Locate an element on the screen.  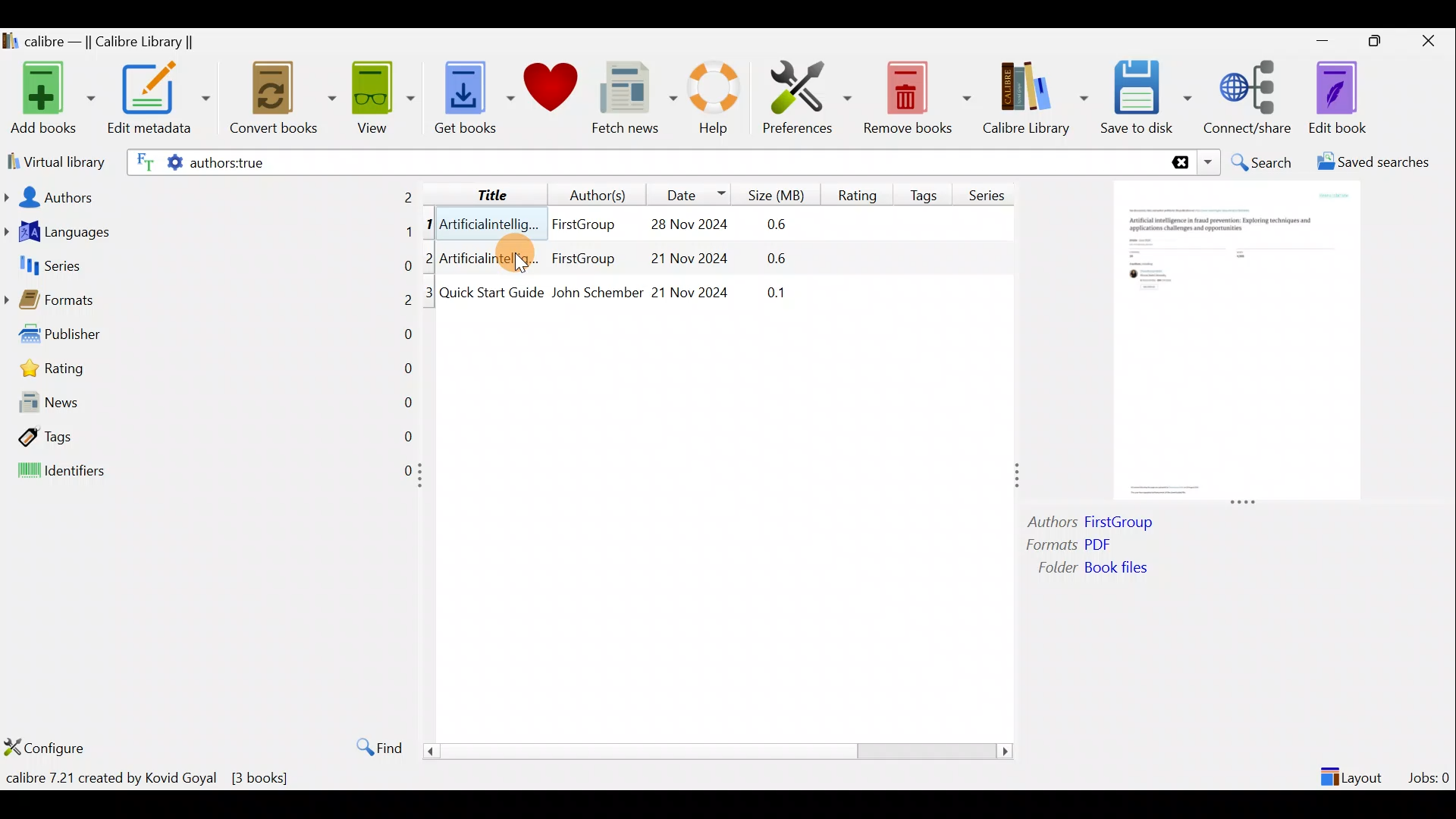
Authors: FirstGroup is located at coordinates (1095, 524).